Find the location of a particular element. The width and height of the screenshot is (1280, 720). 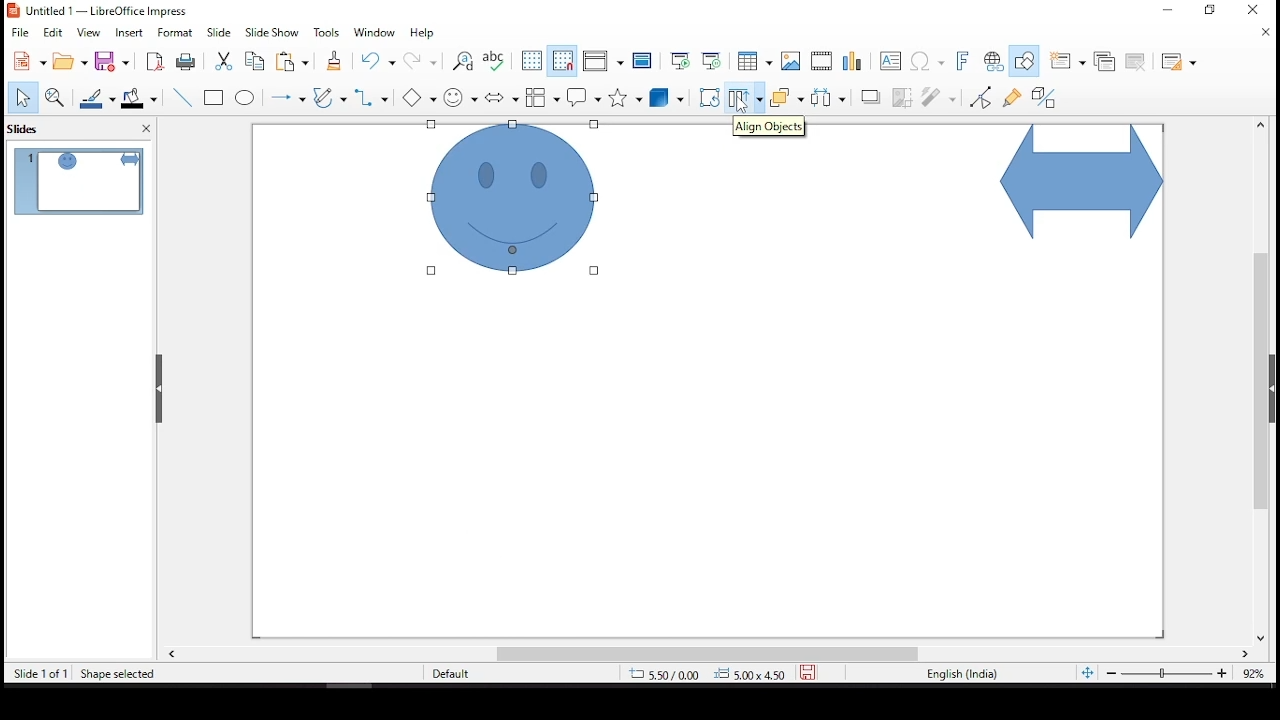

align objects is located at coordinates (745, 100).